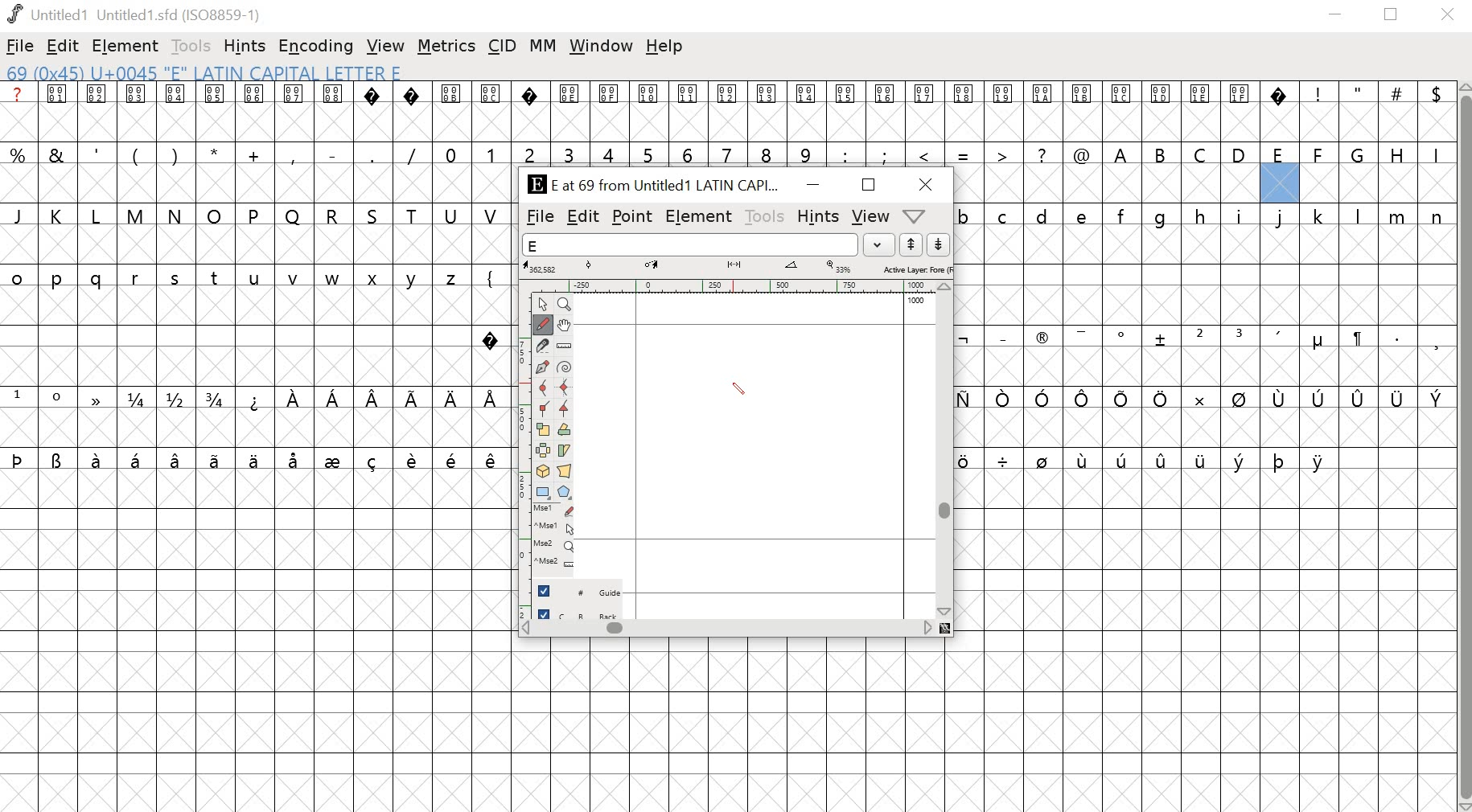  What do you see at coordinates (727, 95) in the screenshot?
I see `special characters and symbols` at bounding box center [727, 95].